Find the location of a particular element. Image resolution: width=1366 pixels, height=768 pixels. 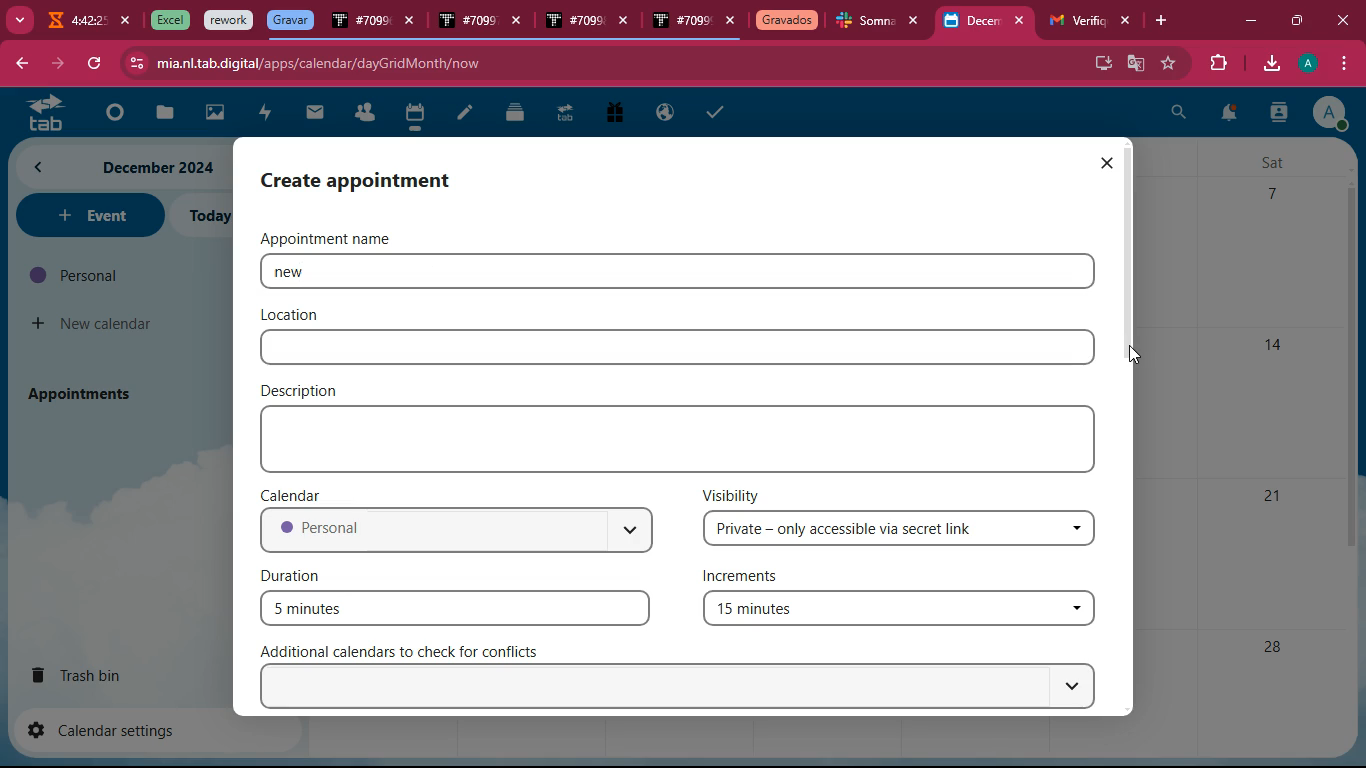

forward is located at coordinates (55, 64).